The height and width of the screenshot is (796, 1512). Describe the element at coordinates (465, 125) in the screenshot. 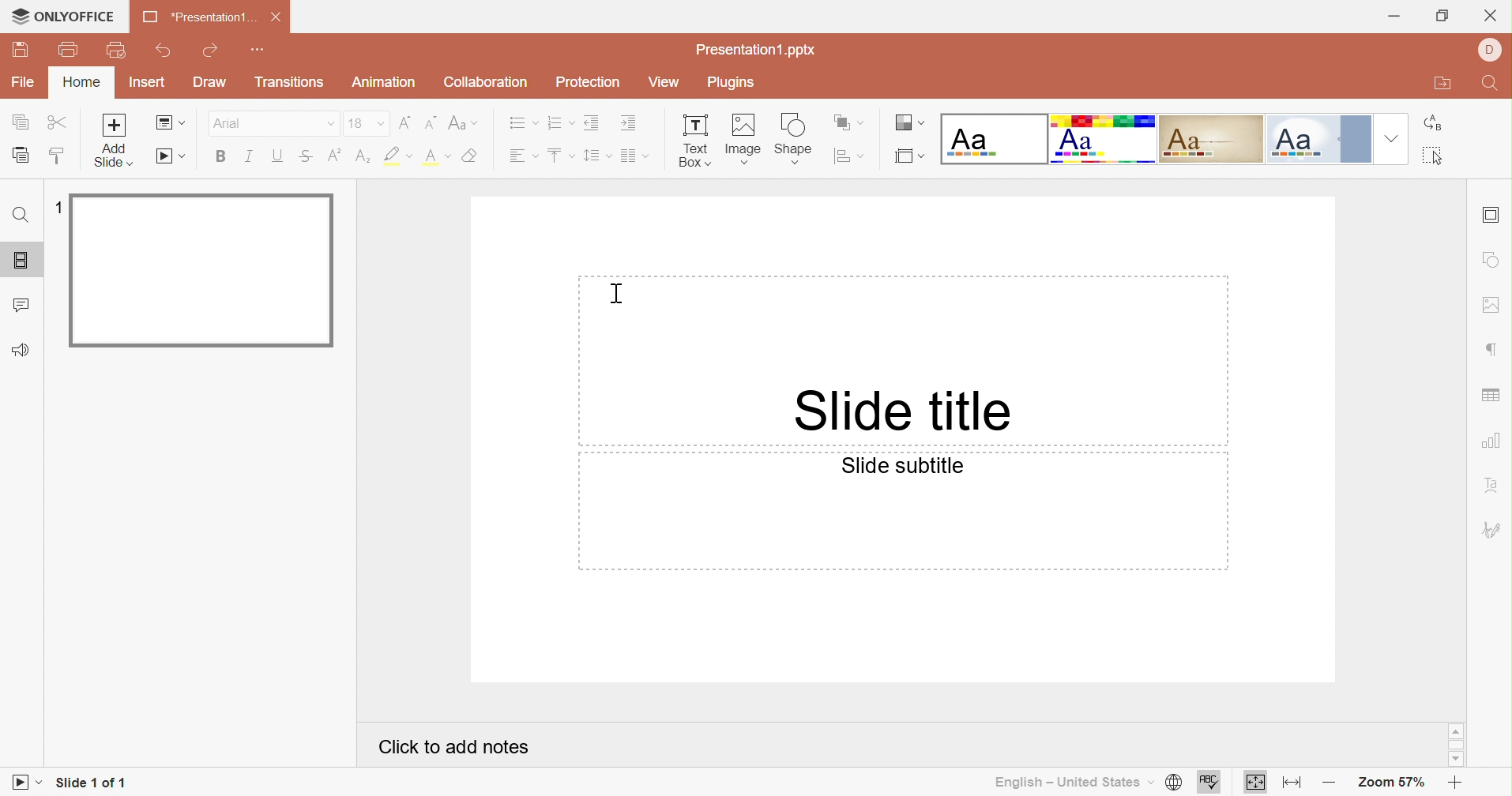

I see `Change case` at that location.